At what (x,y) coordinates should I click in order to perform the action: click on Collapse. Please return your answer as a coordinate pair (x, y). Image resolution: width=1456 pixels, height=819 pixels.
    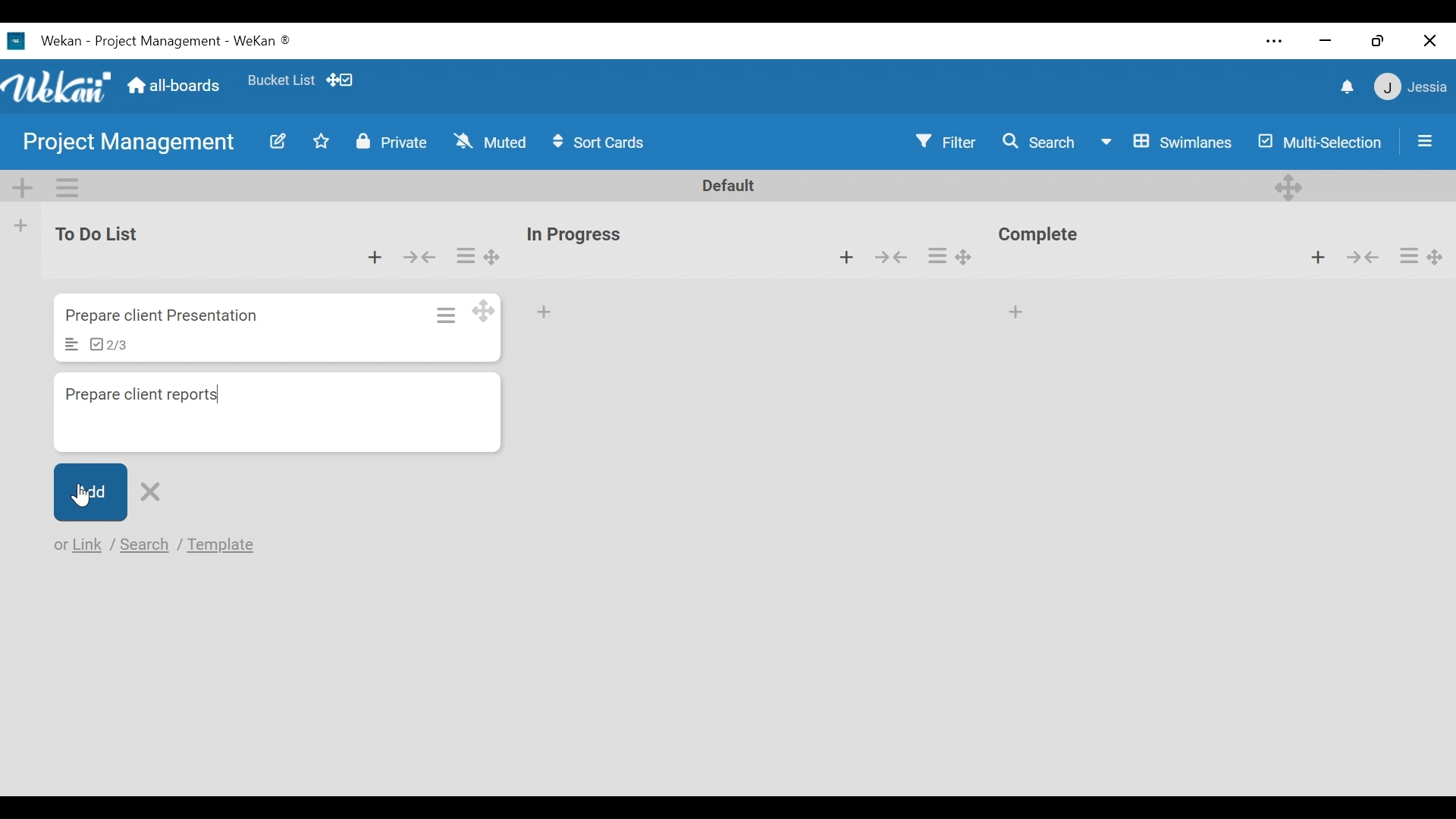
    Looking at the image, I should click on (896, 259).